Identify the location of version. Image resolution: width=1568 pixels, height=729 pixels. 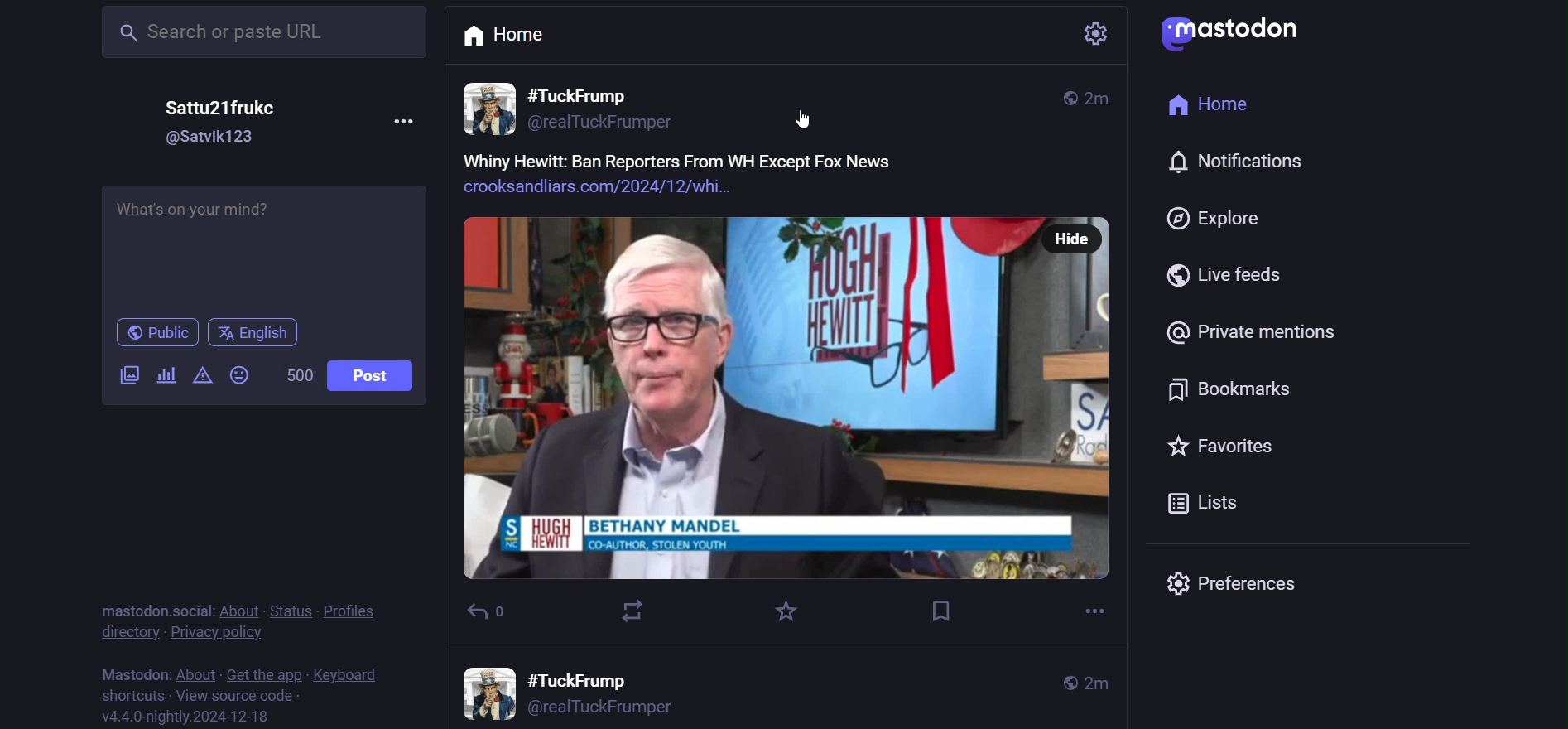
(196, 717).